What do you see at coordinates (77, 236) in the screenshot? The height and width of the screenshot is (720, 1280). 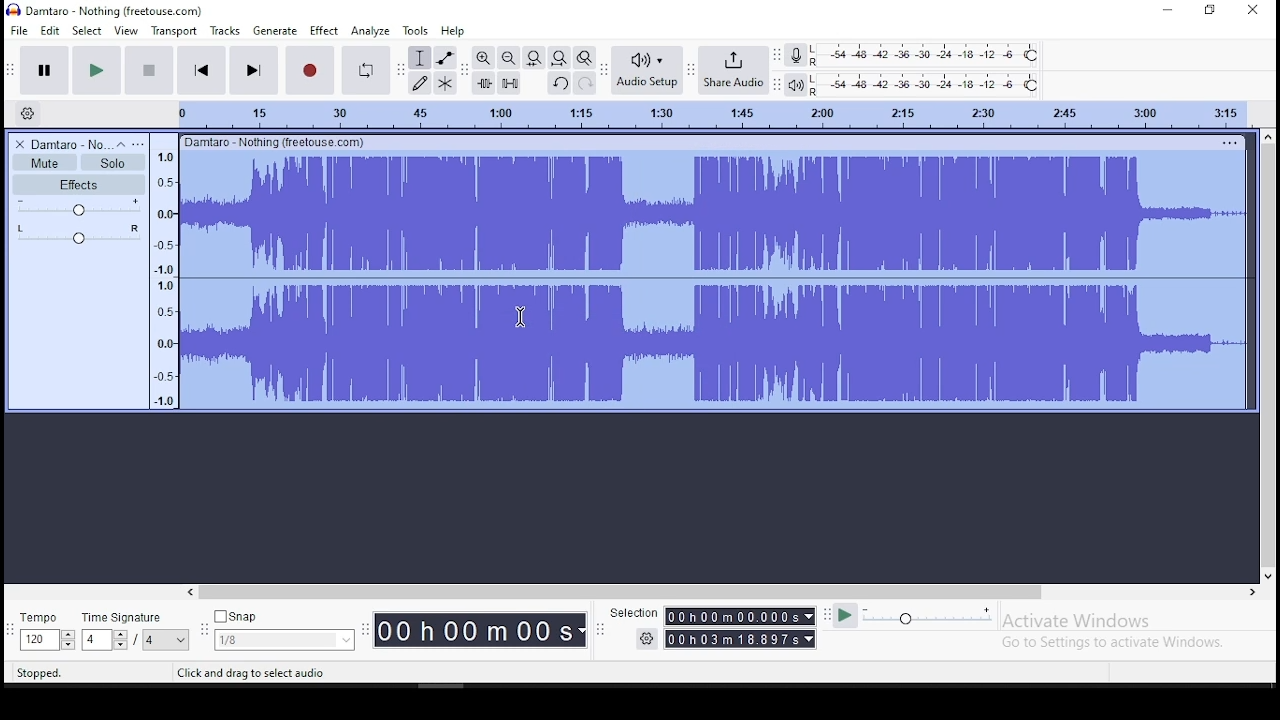 I see `pan` at bounding box center [77, 236].